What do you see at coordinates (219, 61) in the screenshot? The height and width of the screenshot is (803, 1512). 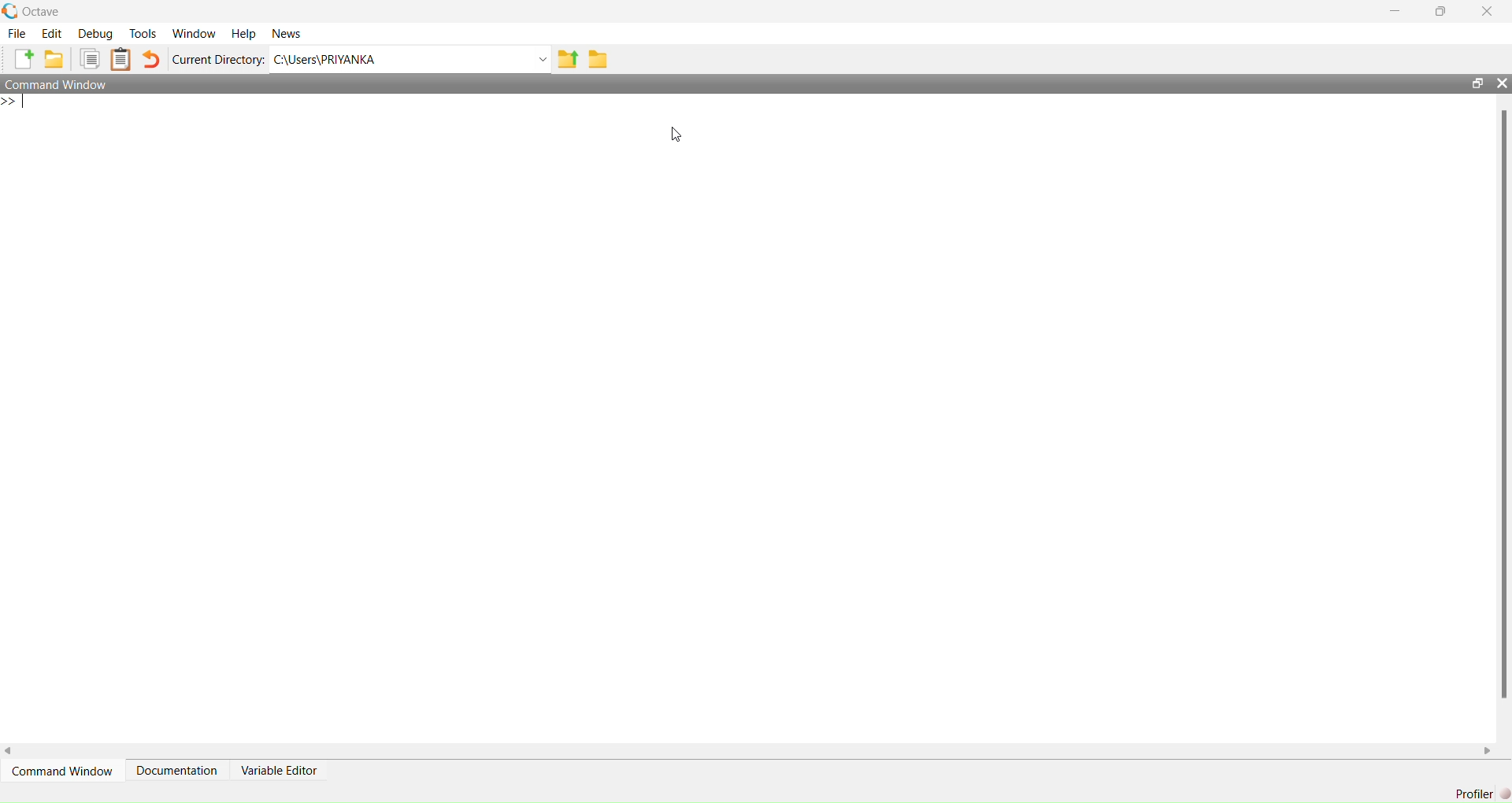 I see `Current Directory:` at bounding box center [219, 61].